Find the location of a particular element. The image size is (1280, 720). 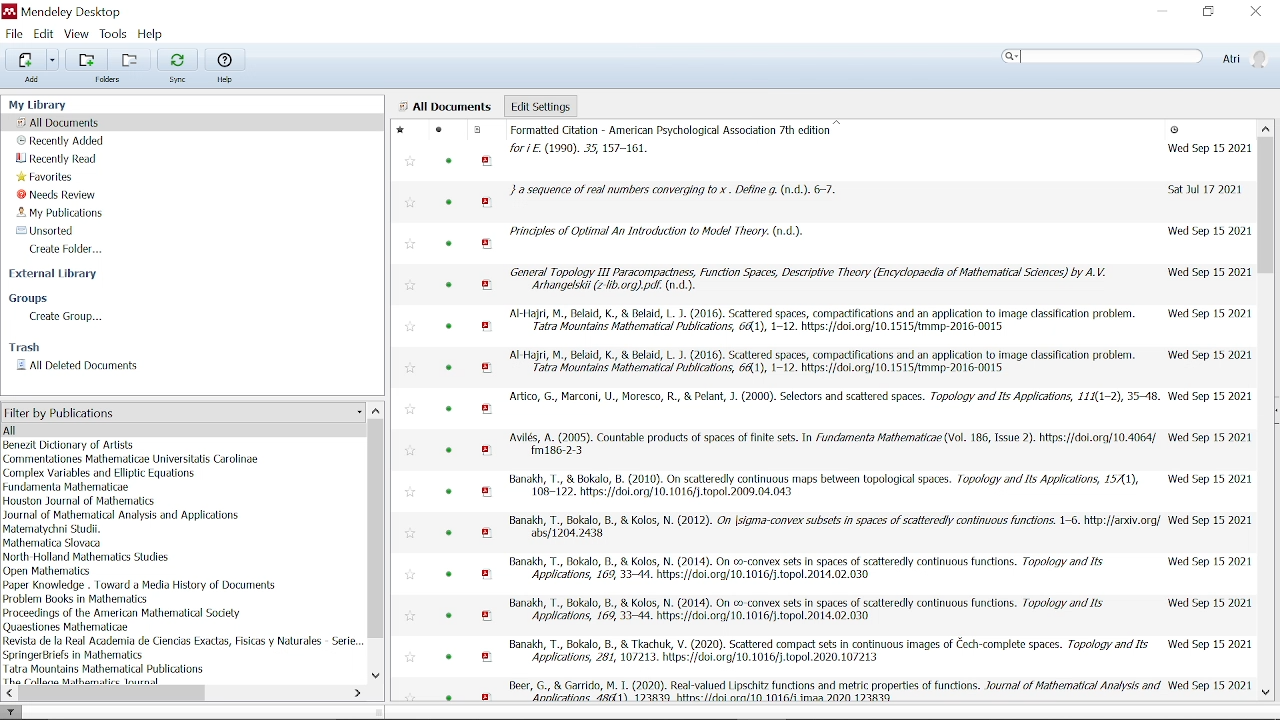

date time is located at coordinates (1211, 477).